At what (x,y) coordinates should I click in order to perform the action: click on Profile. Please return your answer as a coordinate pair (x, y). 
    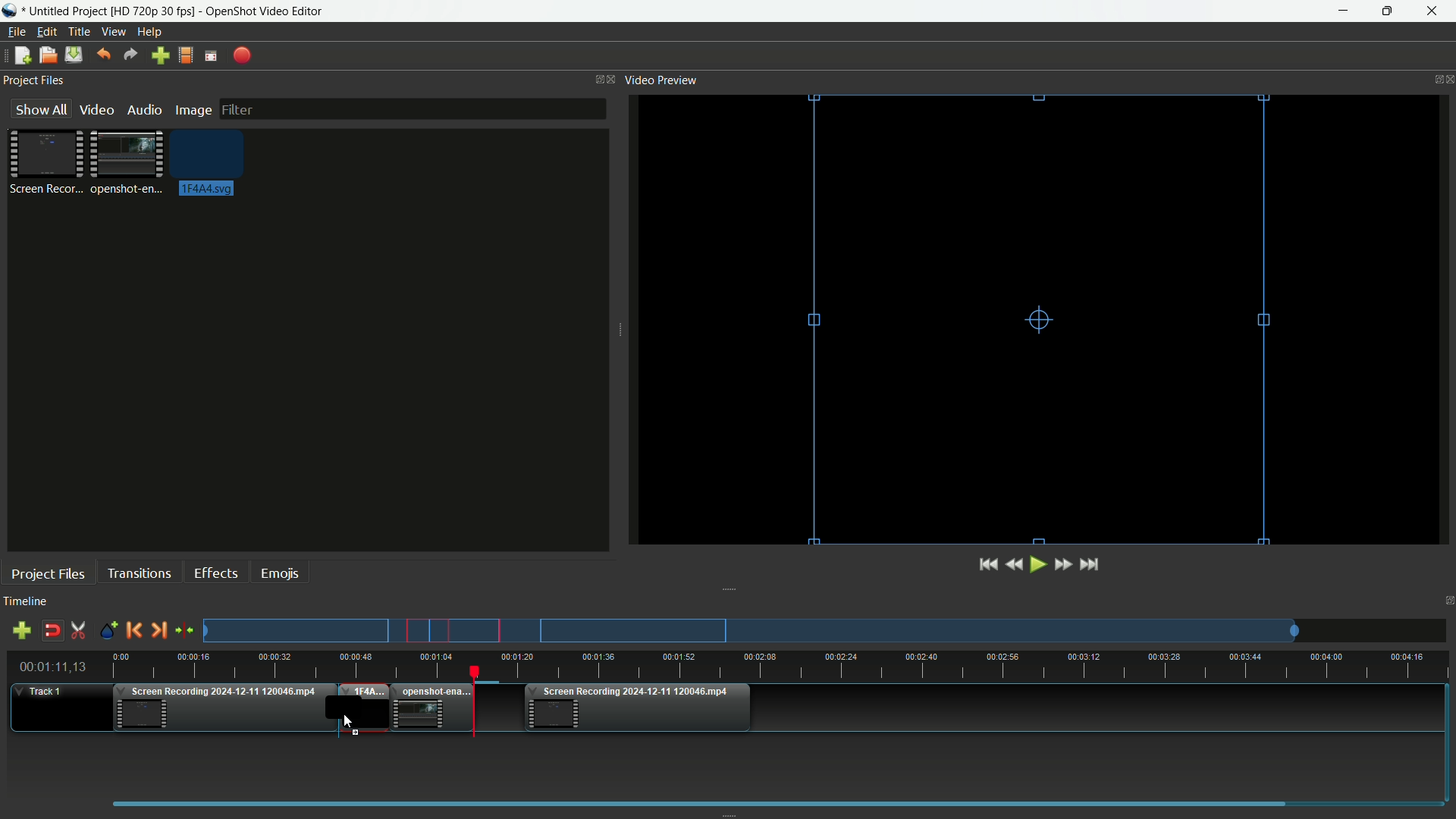
    Looking at the image, I should click on (184, 57).